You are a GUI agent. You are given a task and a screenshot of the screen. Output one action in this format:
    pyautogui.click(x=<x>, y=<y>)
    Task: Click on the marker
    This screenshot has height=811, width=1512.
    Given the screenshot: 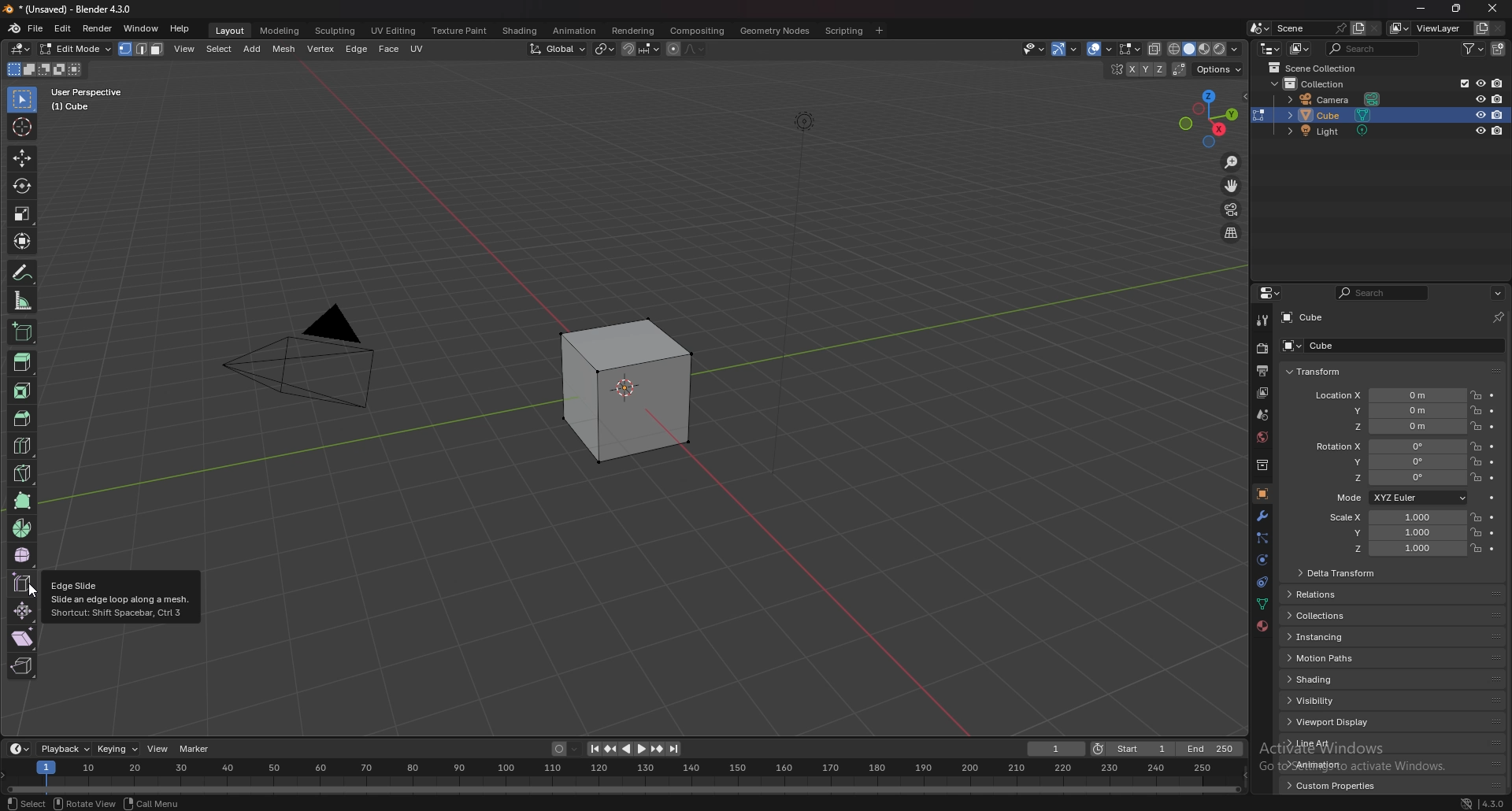 What is the action you would take?
    pyautogui.click(x=195, y=749)
    